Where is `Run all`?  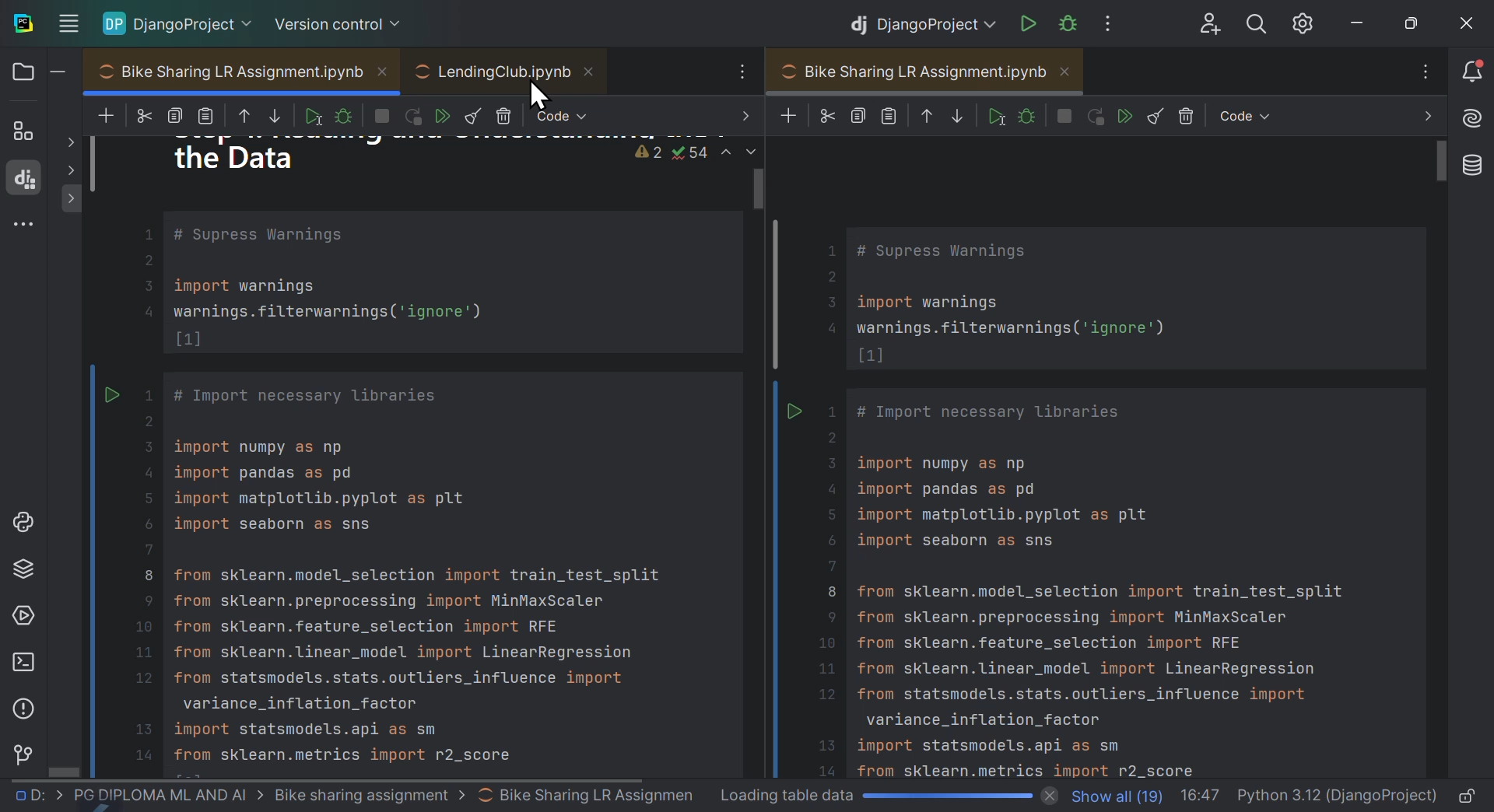 Run all is located at coordinates (444, 115).